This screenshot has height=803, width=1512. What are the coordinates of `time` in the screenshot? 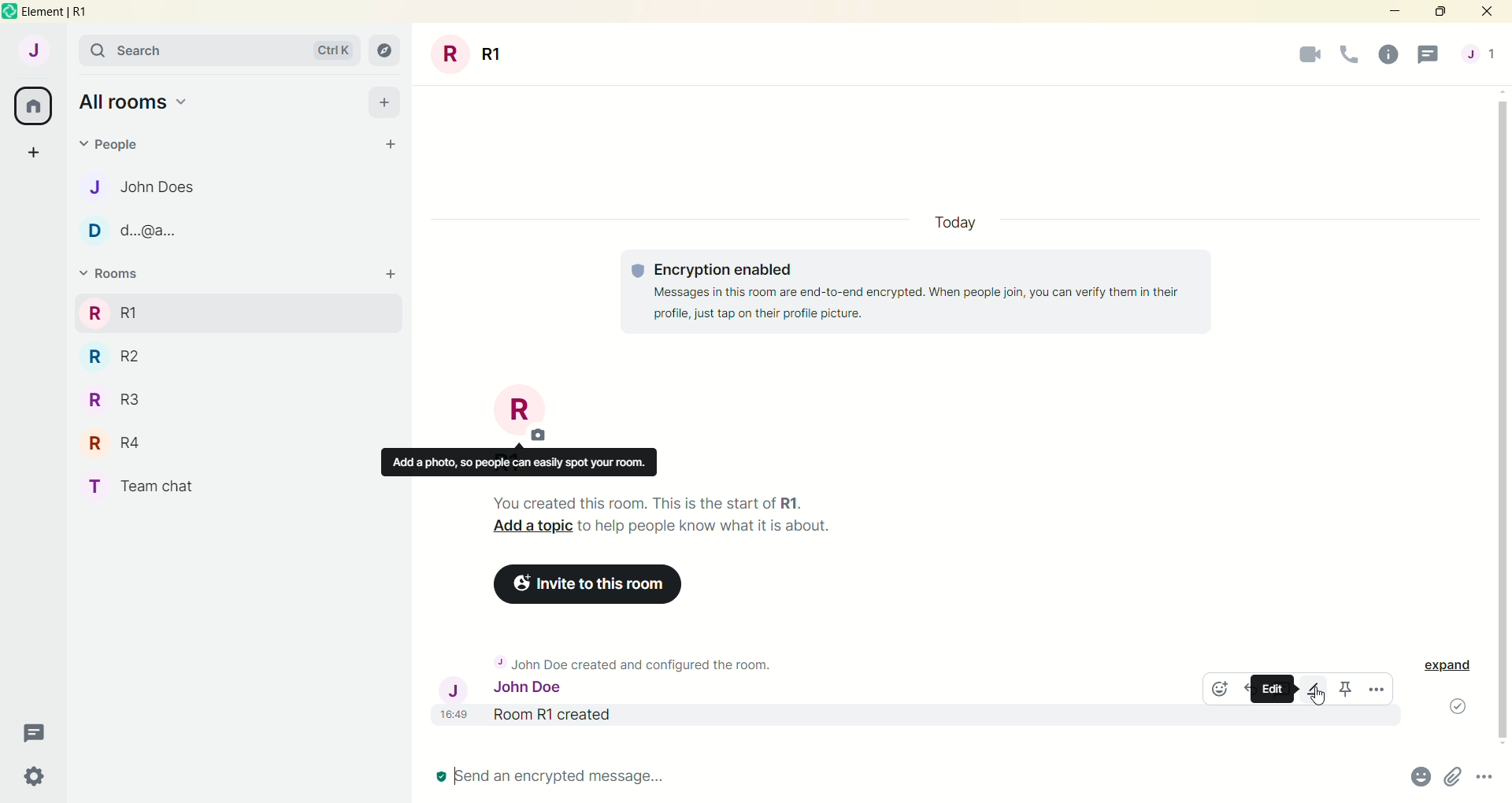 It's located at (455, 720).